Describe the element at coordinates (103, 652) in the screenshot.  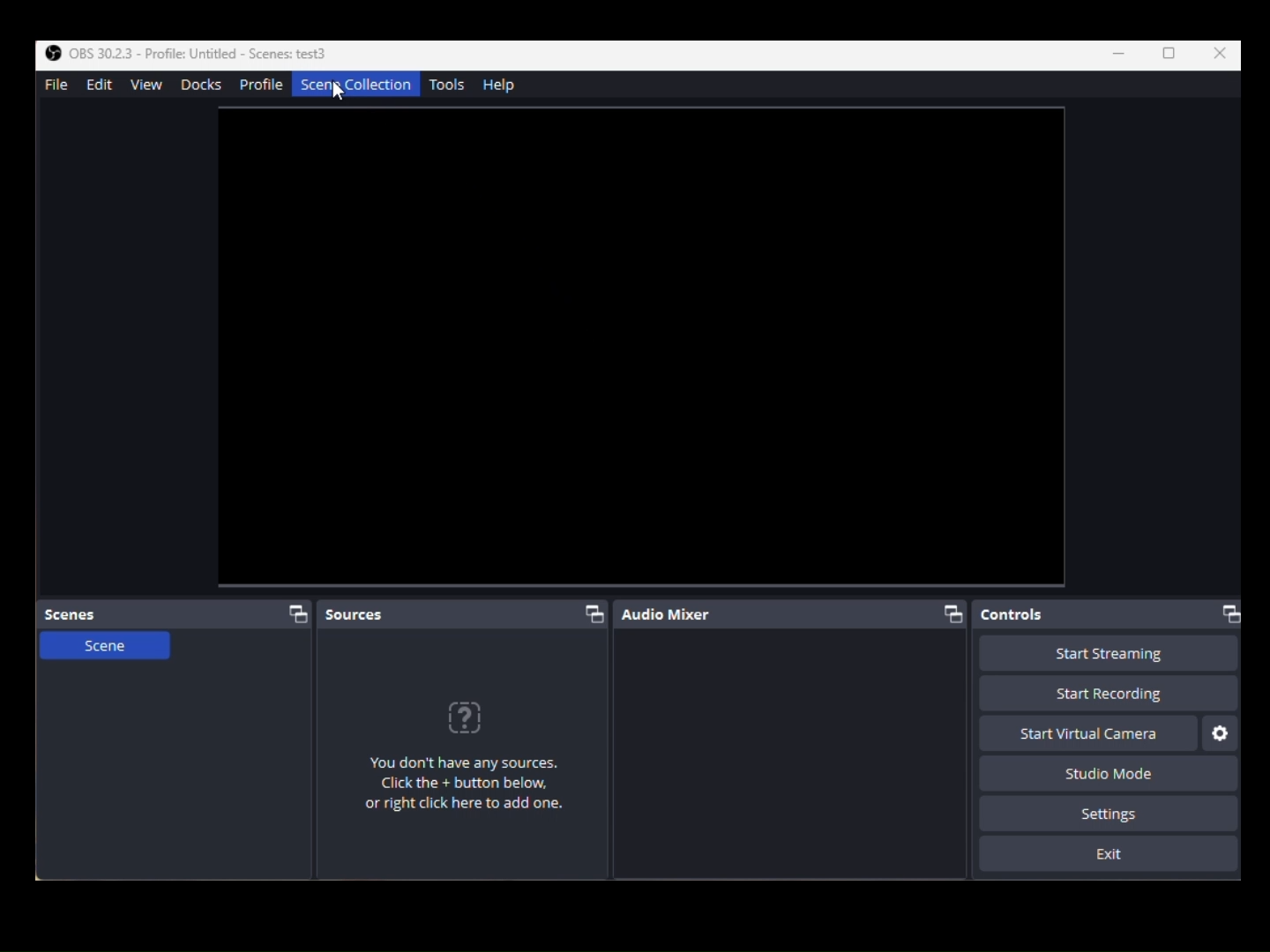
I see `Scene` at that location.